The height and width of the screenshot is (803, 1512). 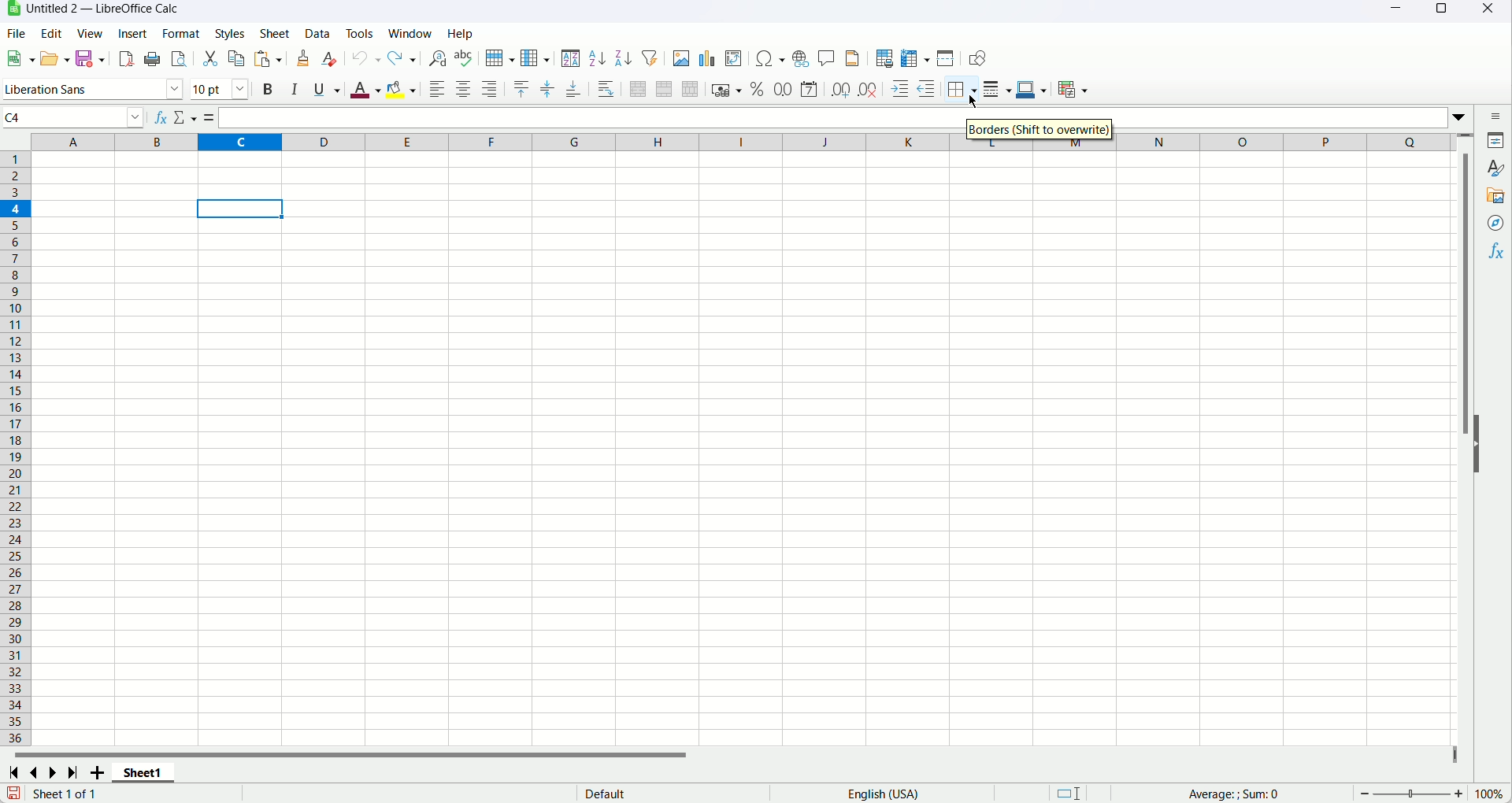 What do you see at coordinates (330, 58) in the screenshot?
I see `Clear formatting` at bounding box center [330, 58].